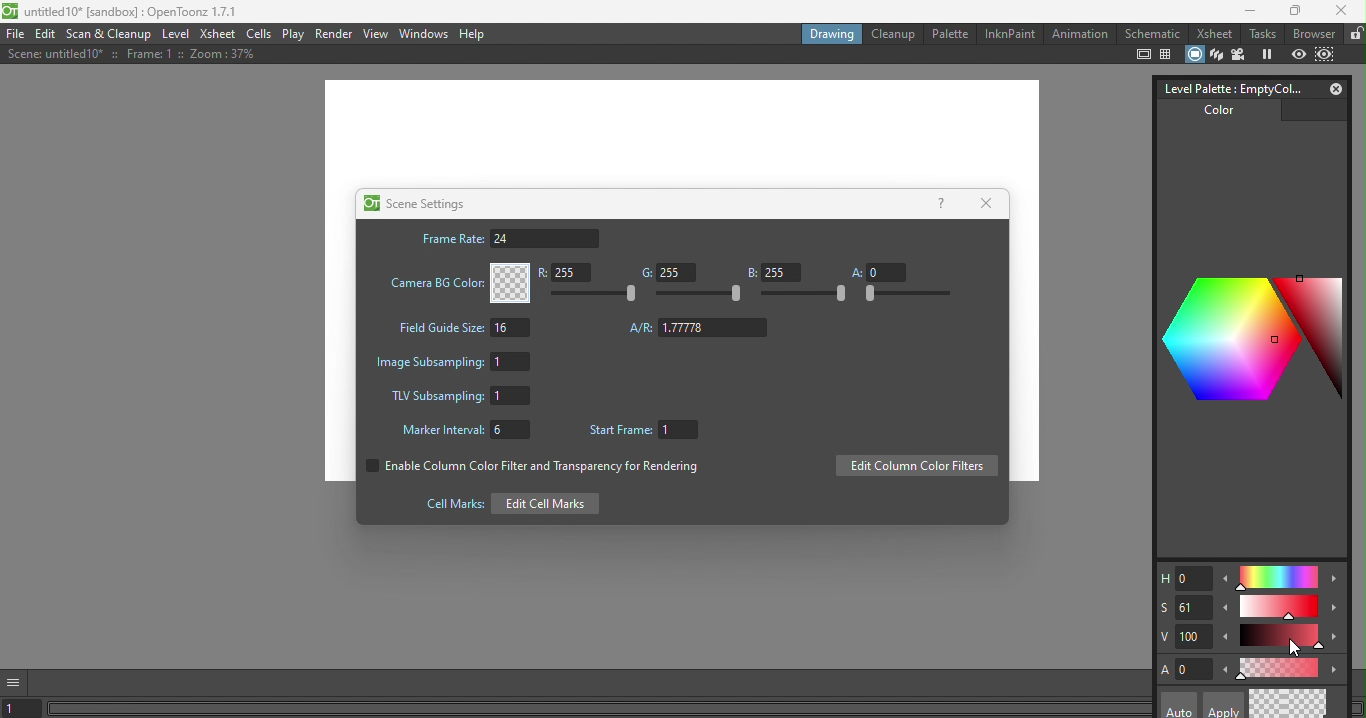 This screenshot has height=718, width=1366. I want to click on Maximize, so click(1292, 12).